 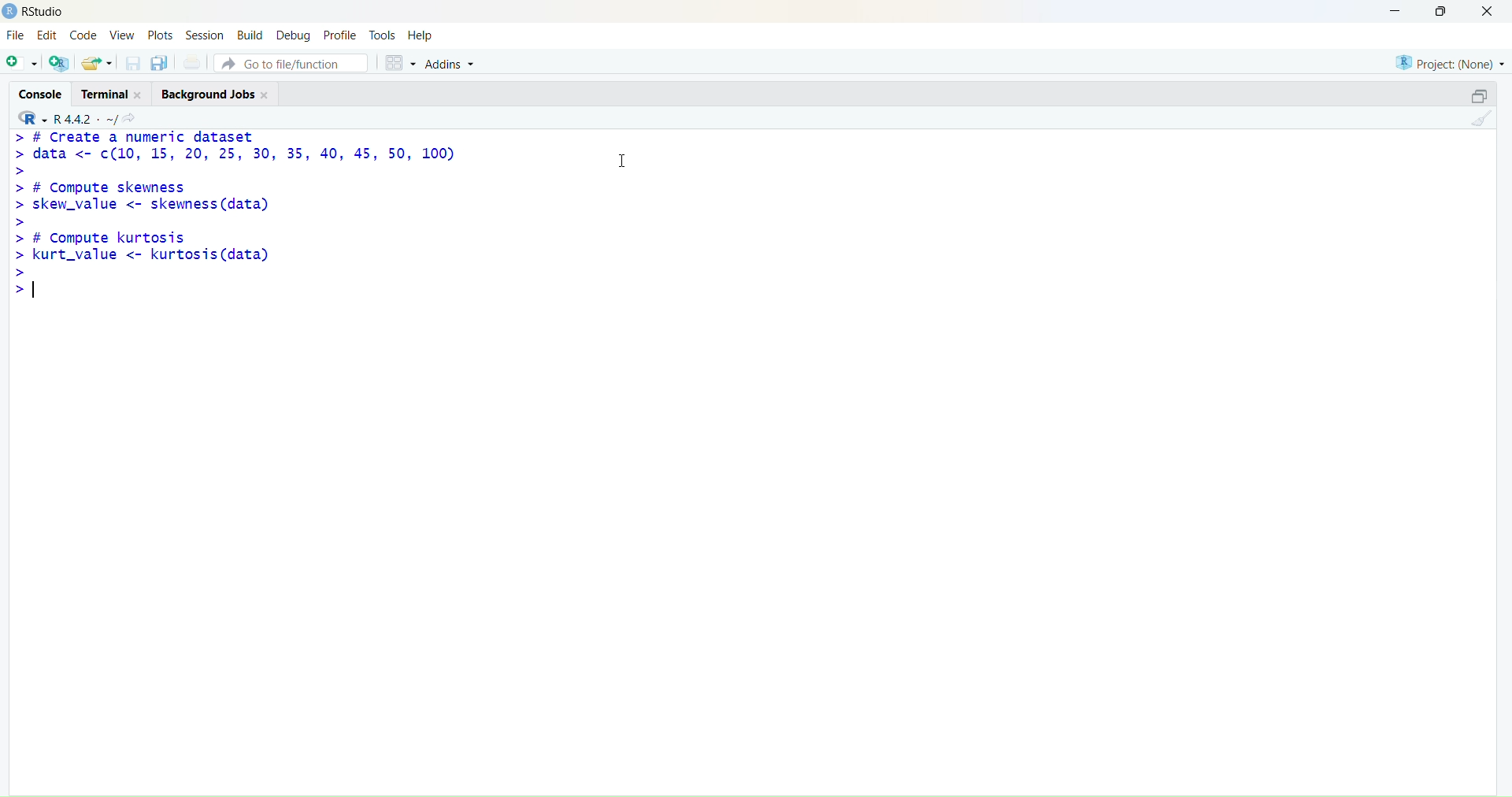 I want to click on File, so click(x=17, y=36).